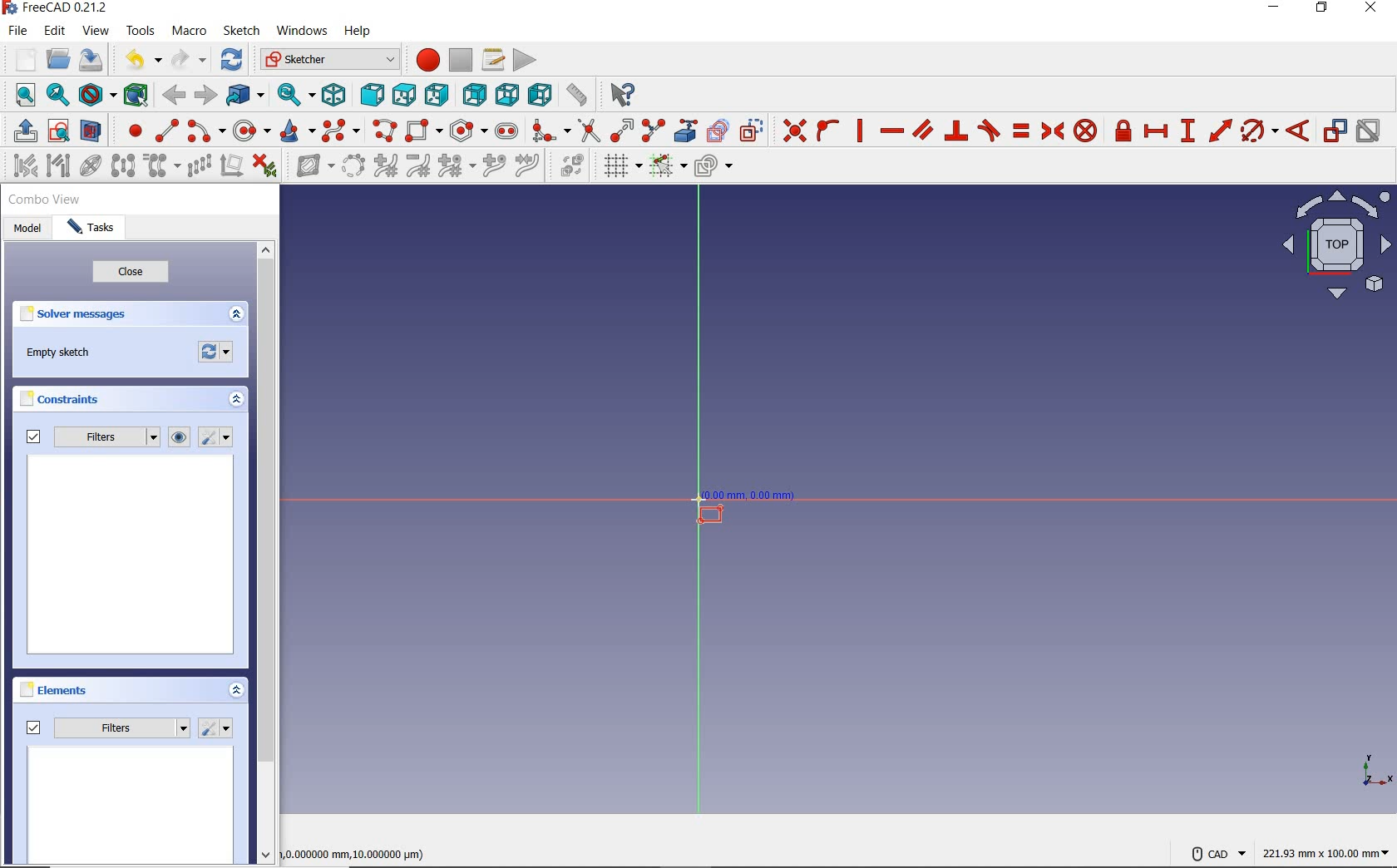 Image resolution: width=1397 pixels, height=868 pixels. I want to click on switch virtual space, so click(574, 168).